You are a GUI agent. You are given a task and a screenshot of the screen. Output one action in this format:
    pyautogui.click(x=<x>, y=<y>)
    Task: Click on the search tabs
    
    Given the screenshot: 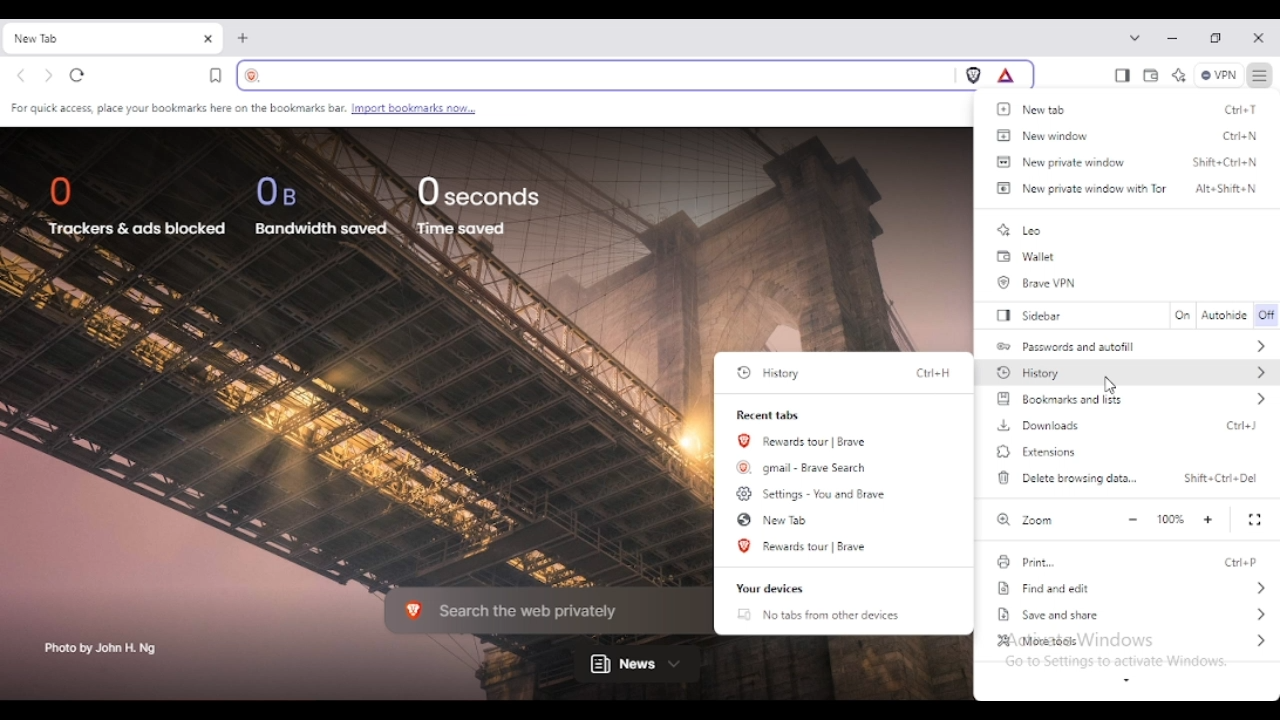 What is the action you would take?
    pyautogui.click(x=1135, y=37)
    